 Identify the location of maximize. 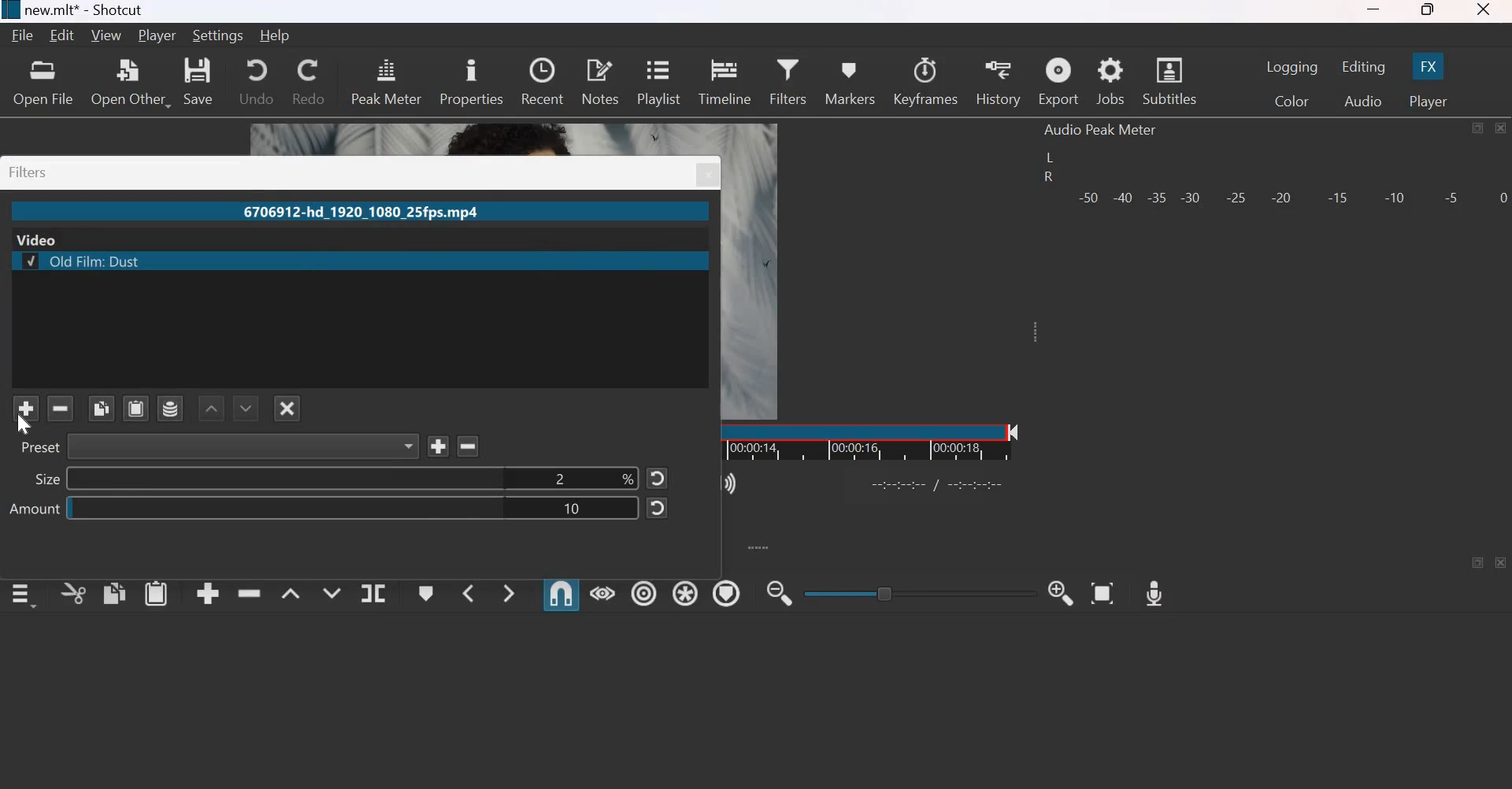
(1478, 128).